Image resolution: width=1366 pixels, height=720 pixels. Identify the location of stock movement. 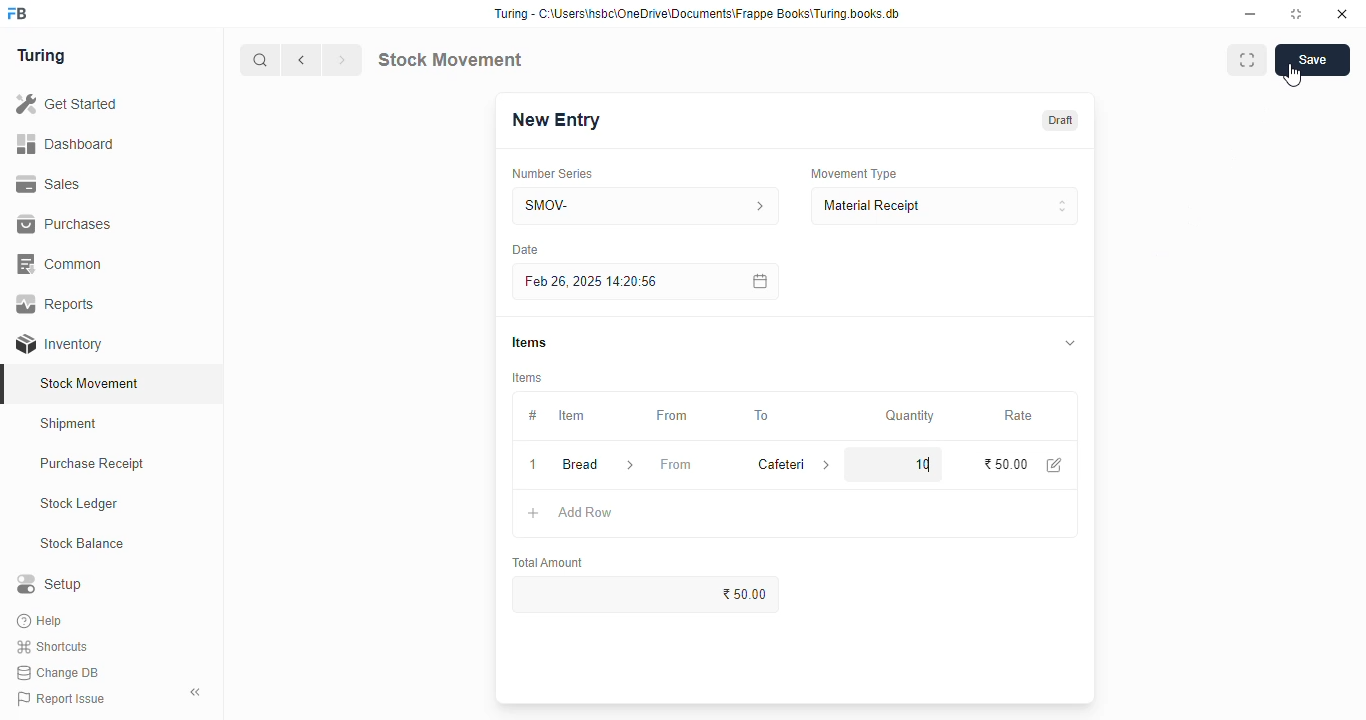
(91, 383).